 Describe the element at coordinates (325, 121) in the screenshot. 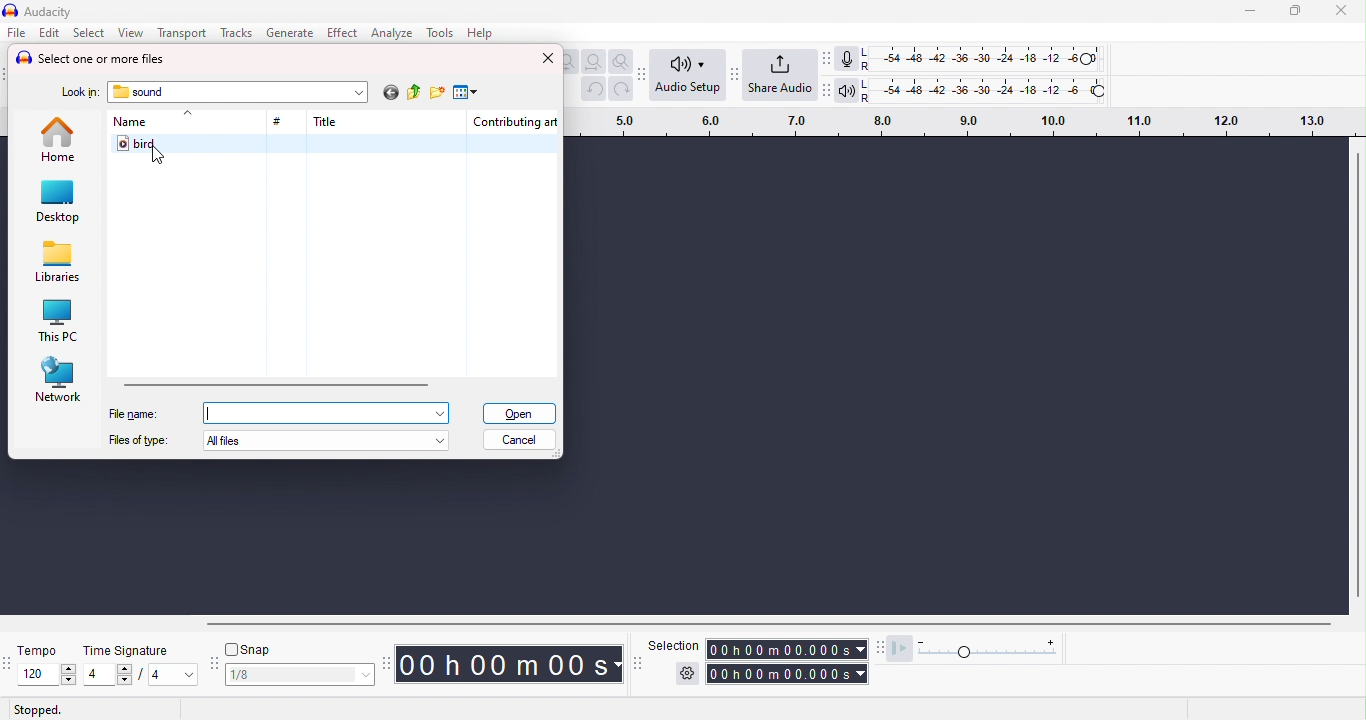

I see `title` at that location.